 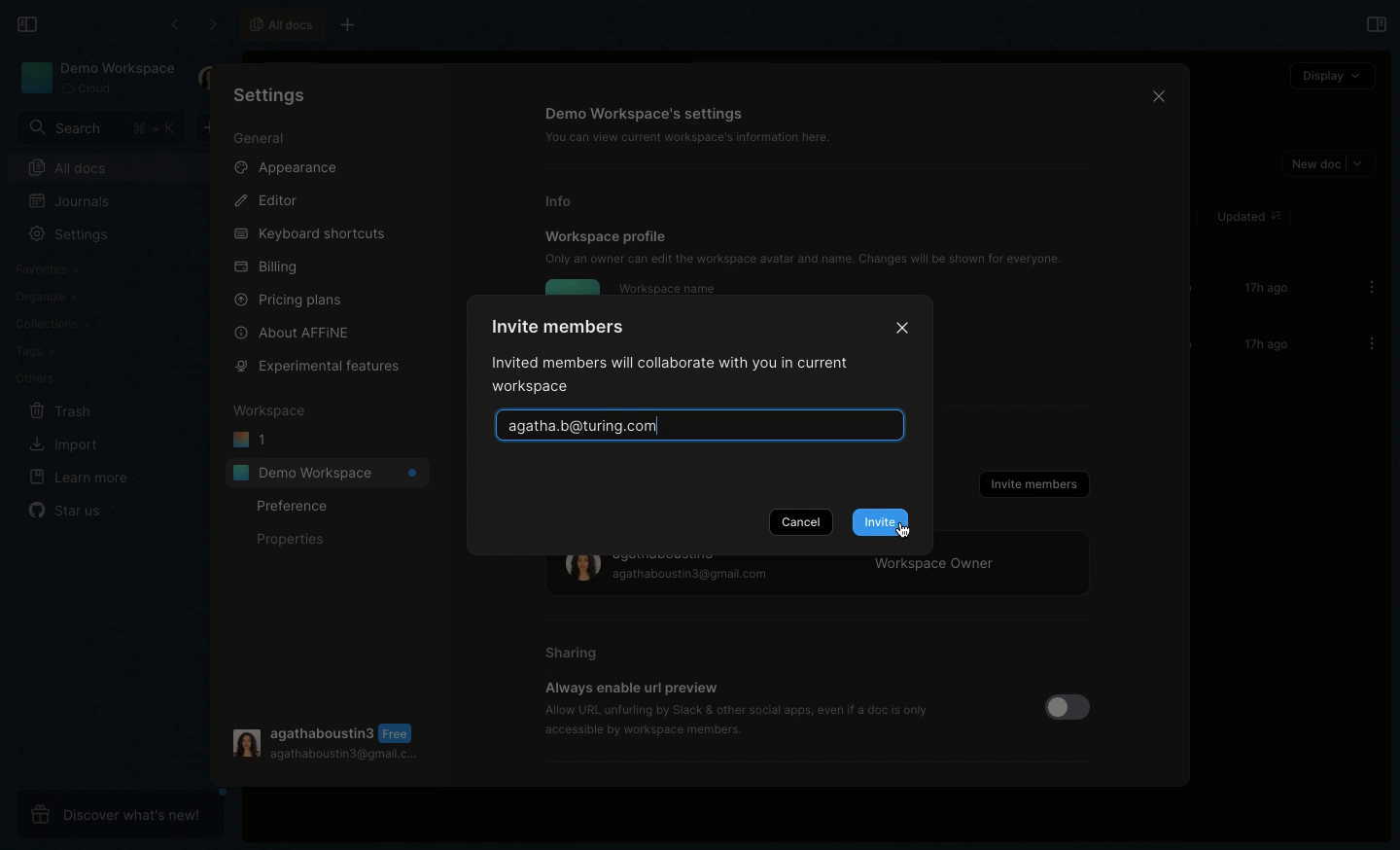 I want to click on Only an owner can edit the workspace avatar and name. Changes will be shown for everyone., so click(x=814, y=259).